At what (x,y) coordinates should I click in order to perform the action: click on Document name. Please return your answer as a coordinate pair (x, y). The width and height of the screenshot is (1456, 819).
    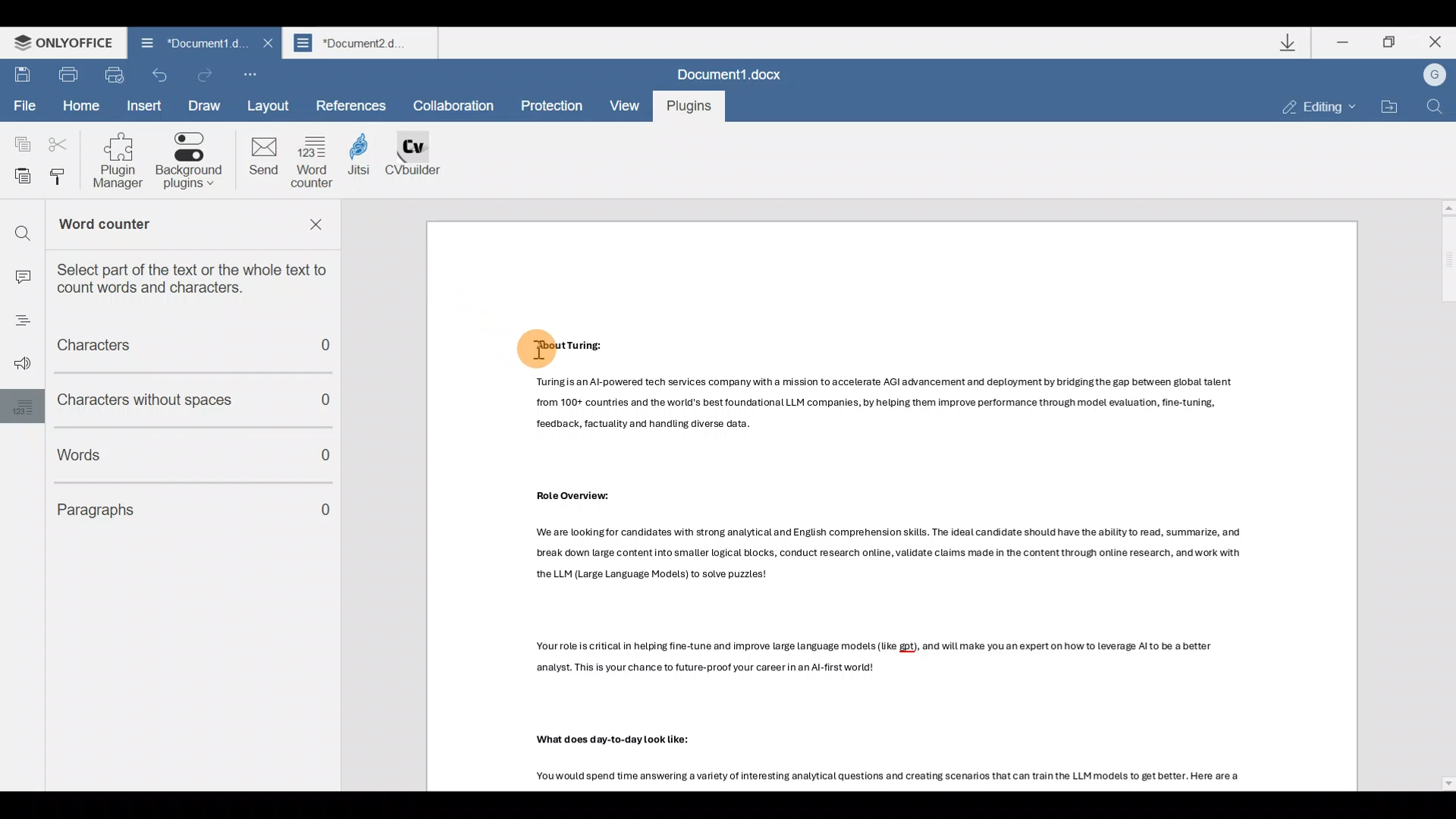
    Looking at the image, I should click on (195, 42).